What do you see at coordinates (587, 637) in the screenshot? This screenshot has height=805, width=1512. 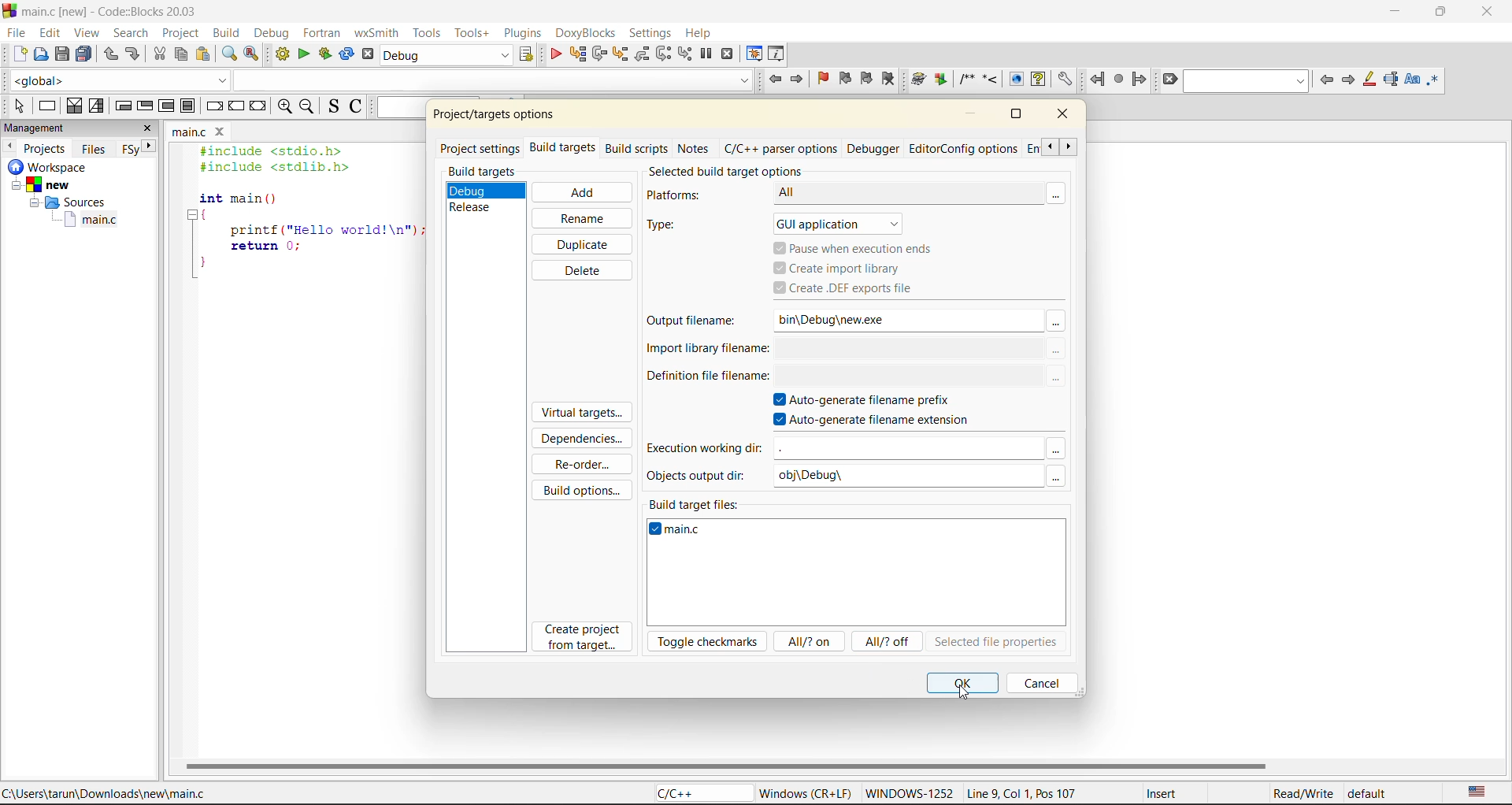 I see `create project from target` at bounding box center [587, 637].